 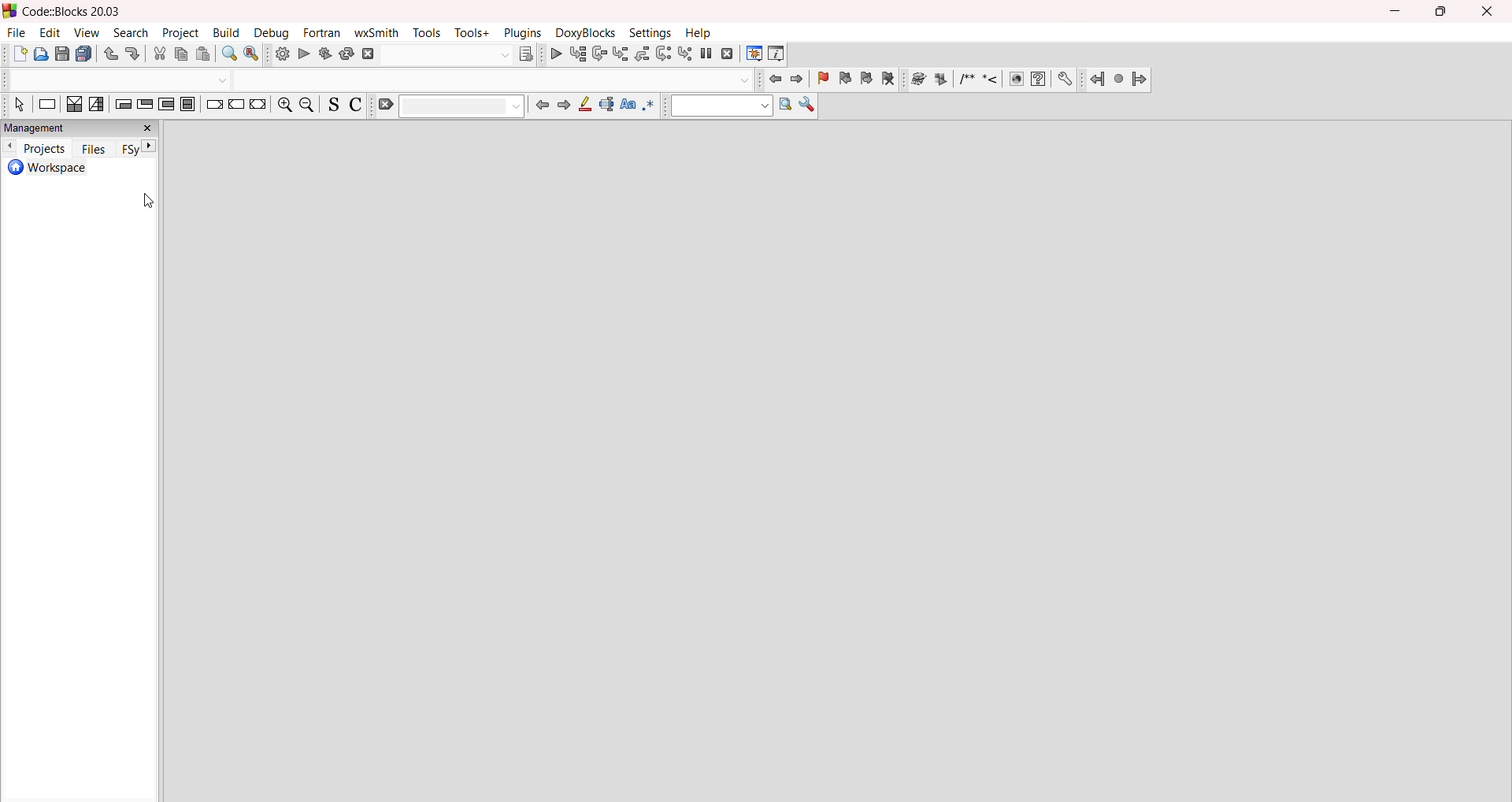 What do you see at coordinates (187, 106) in the screenshot?
I see `block instruction` at bounding box center [187, 106].